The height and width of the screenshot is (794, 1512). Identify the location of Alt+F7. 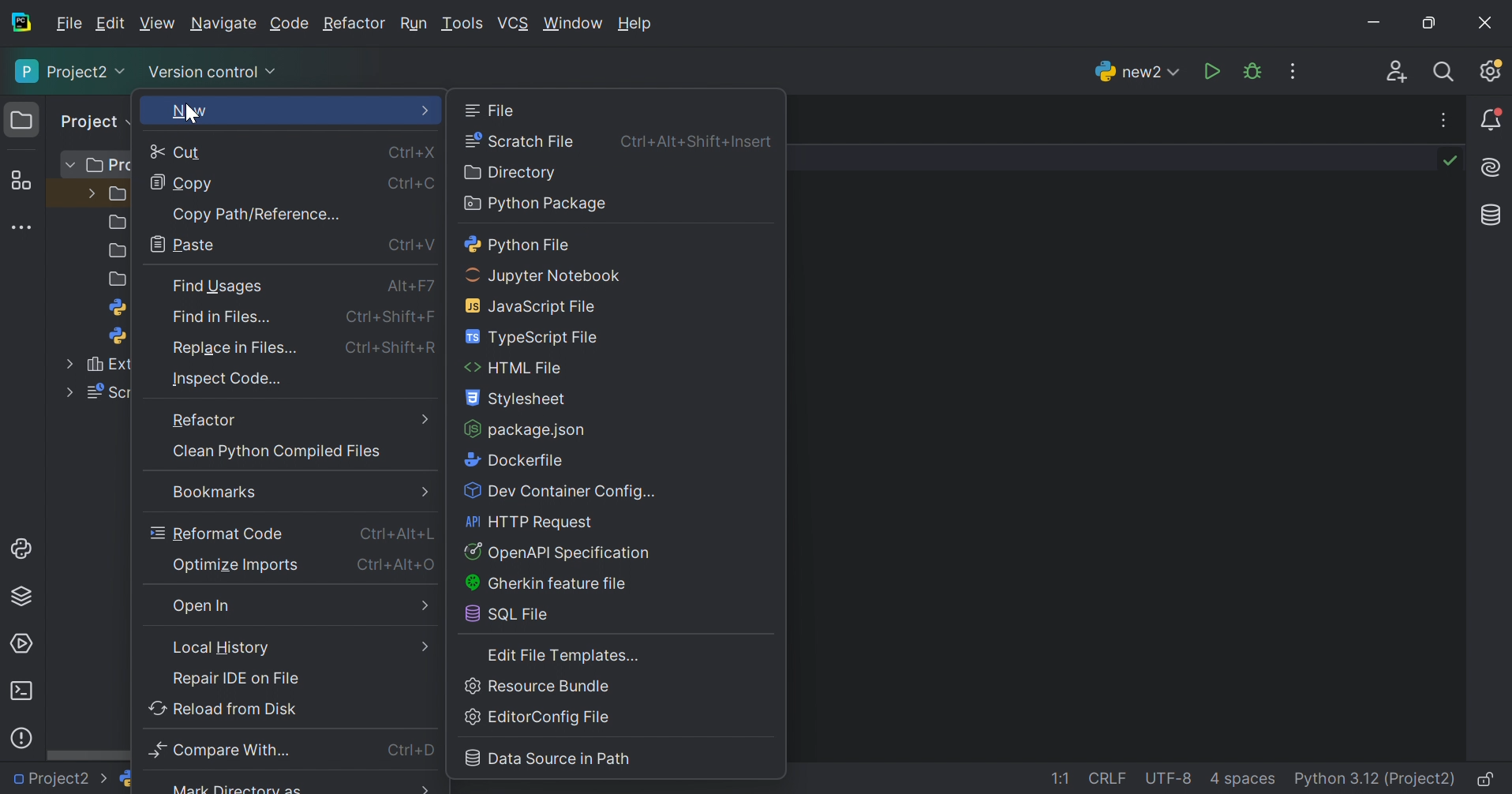
(409, 289).